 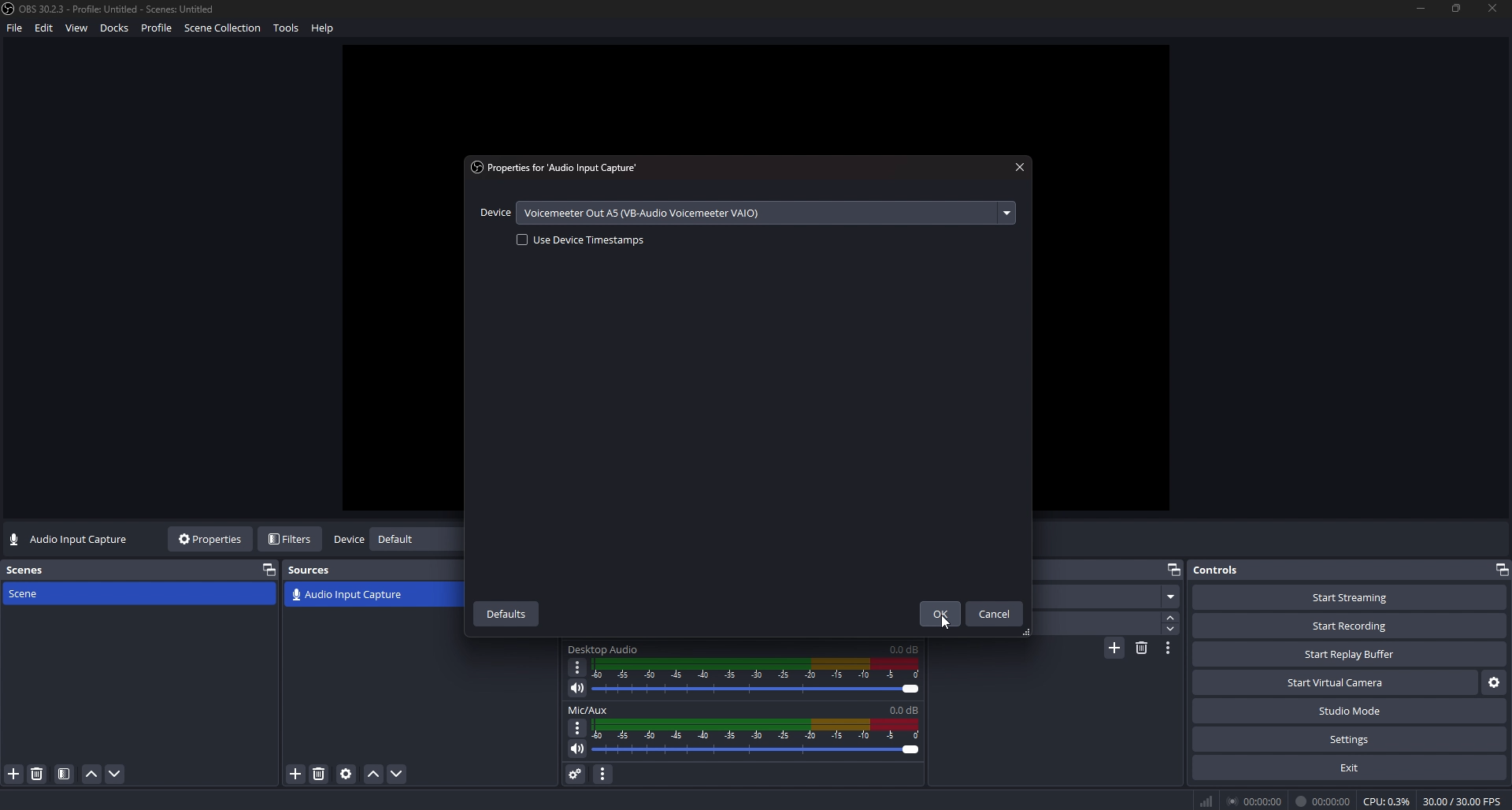 I want to click on close, so click(x=1493, y=10).